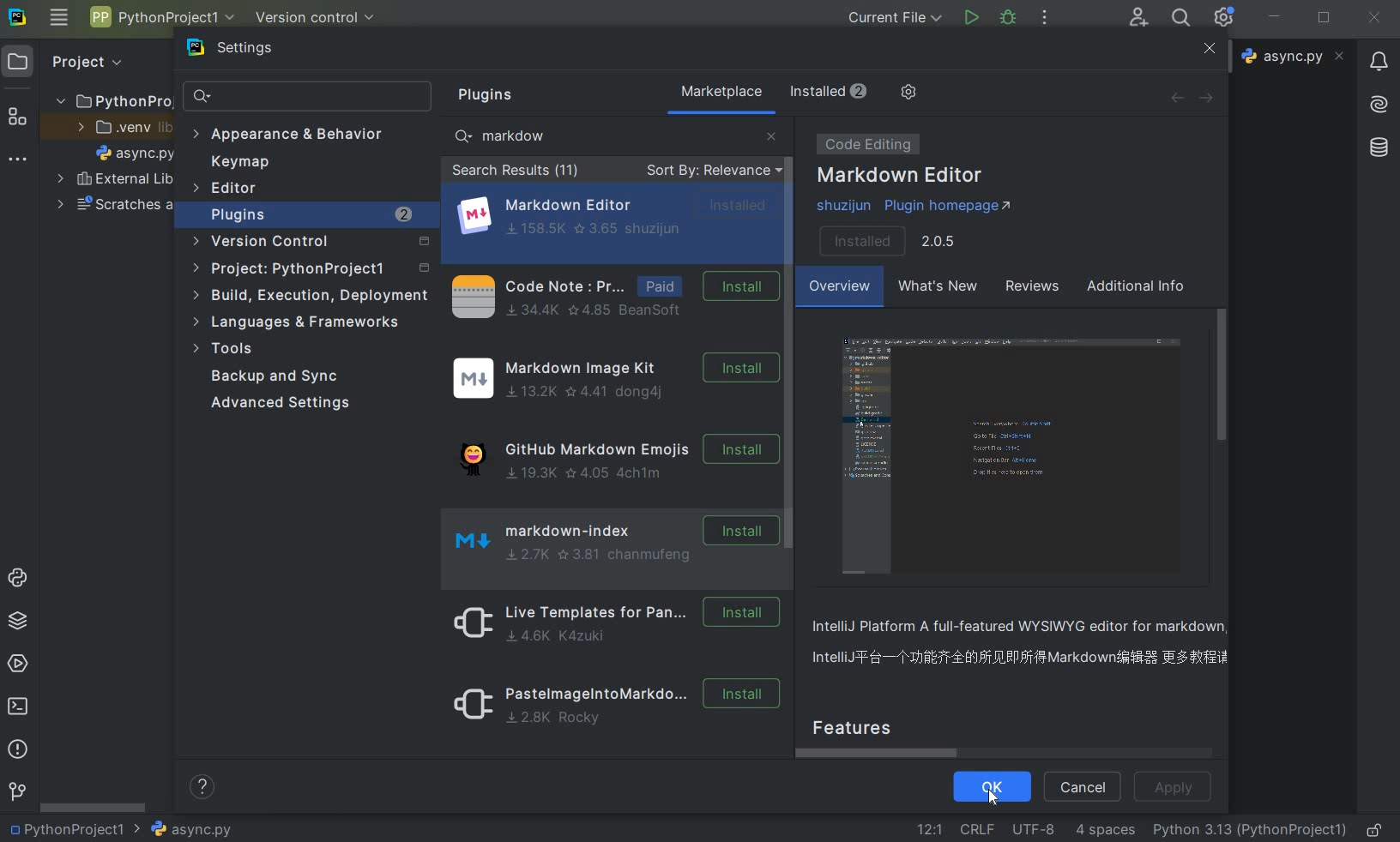  I want to click on structure, so click(18, 114).